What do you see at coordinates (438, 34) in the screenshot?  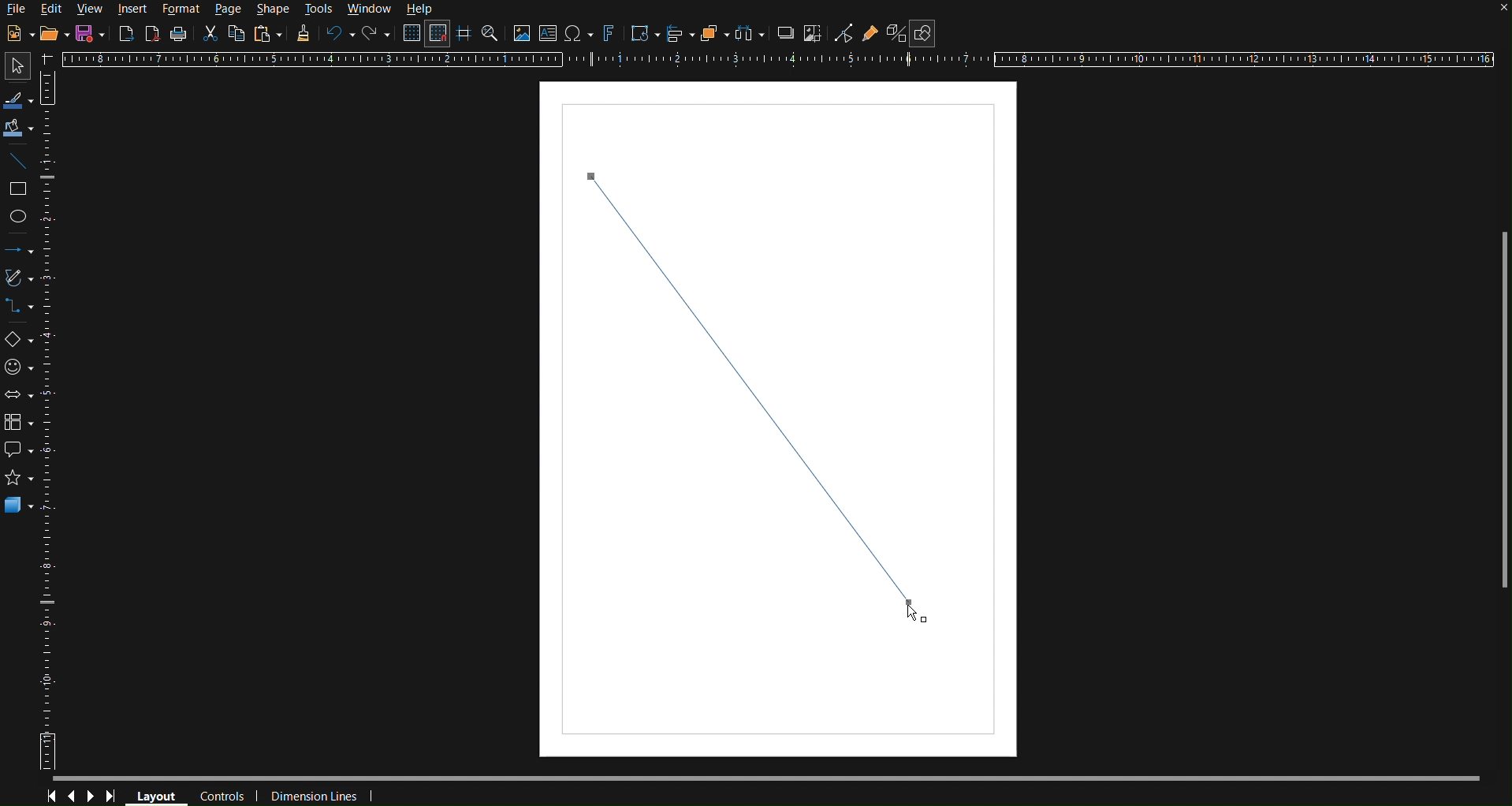 I see `Snap to Grid` at bounding box center [438, 34].